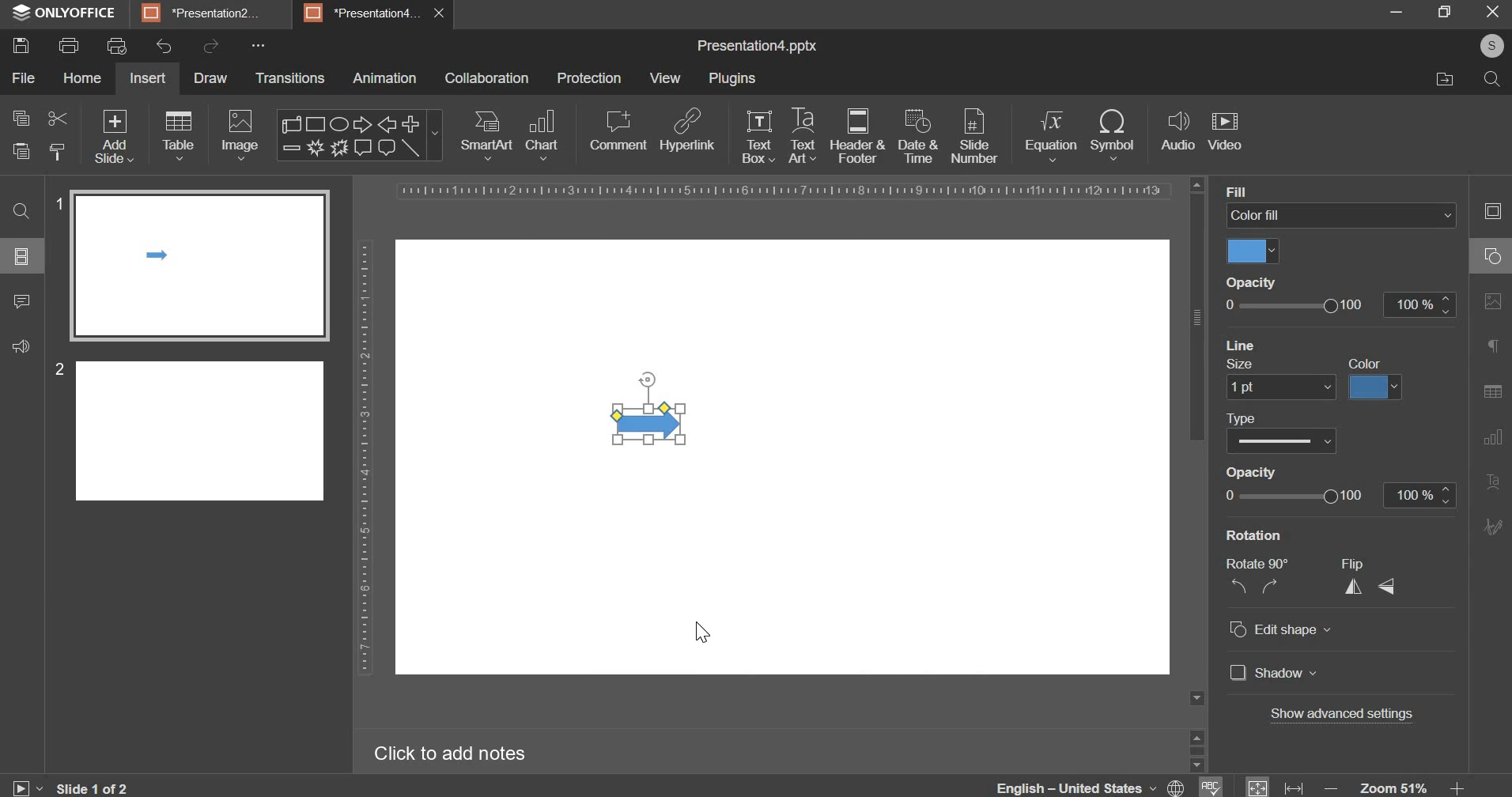 The image size is (1512, 797). What do you see at coordinates (210, 77) in the screenshot?
I see `draw` at bounding box center [210, 77].